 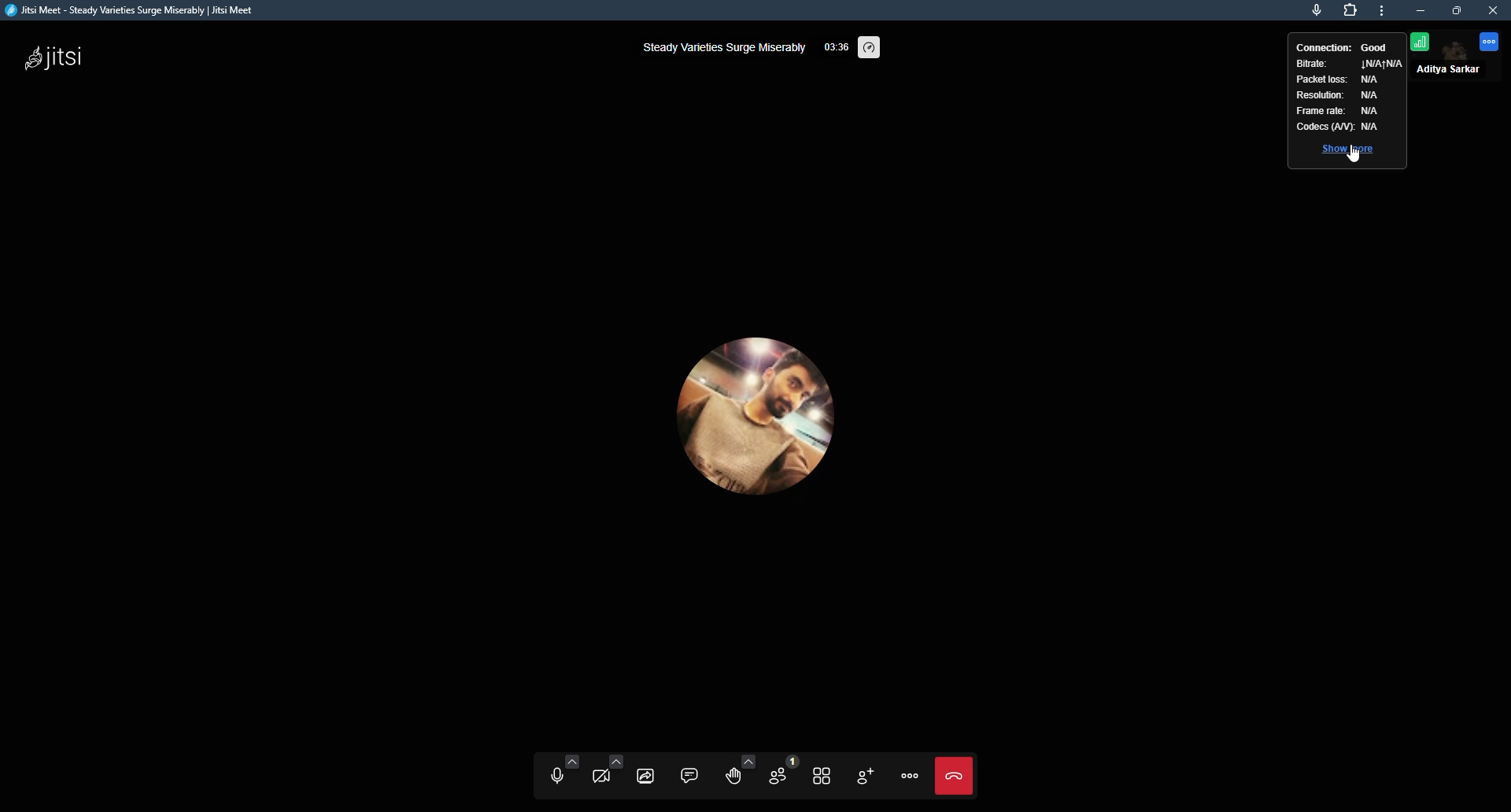 What do you see at coordinates (864, 777) in the screenshot?
I see `invite people` at bounding box center [864, 777].